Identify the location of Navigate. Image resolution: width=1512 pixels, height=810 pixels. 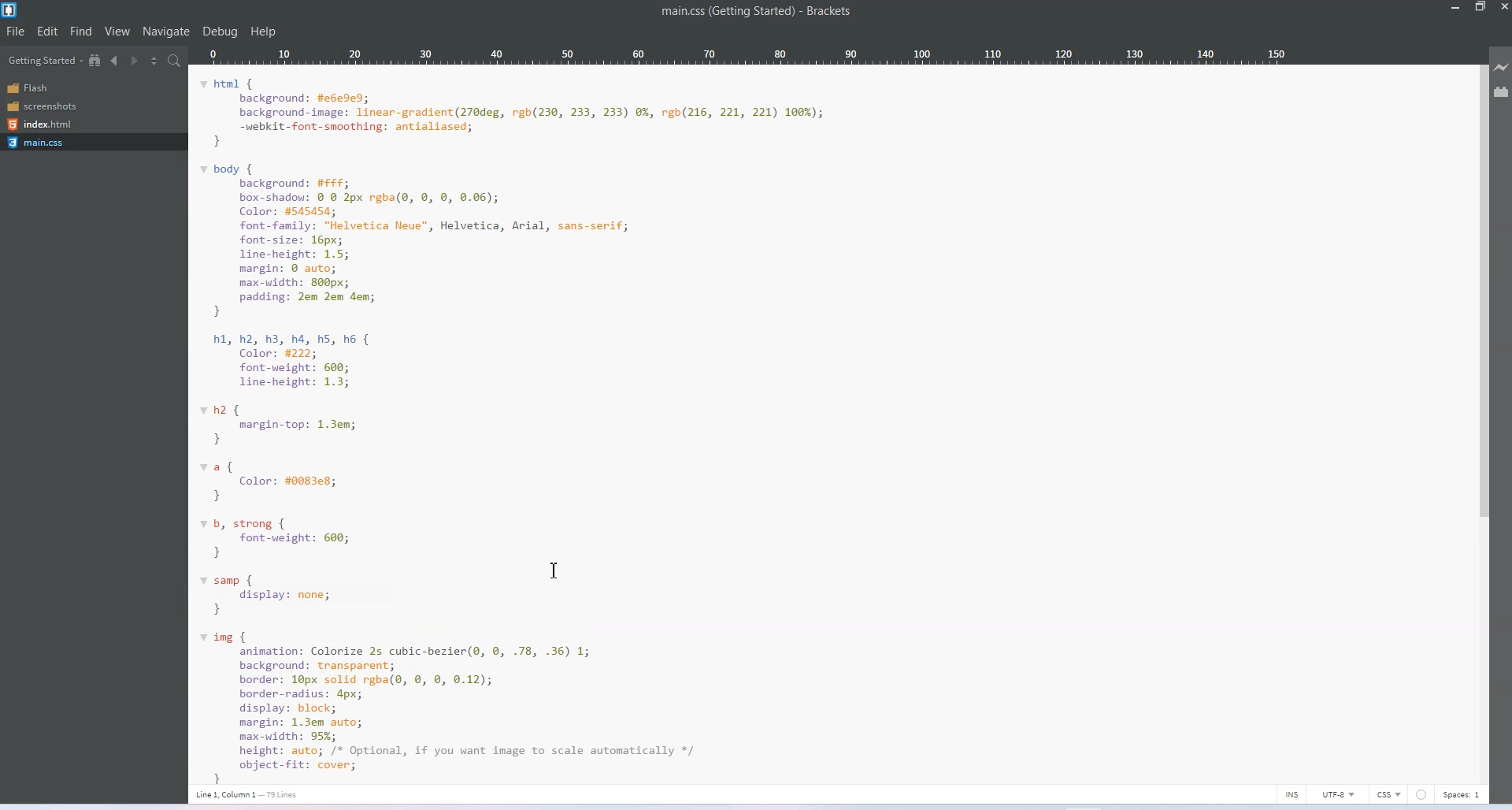
(169, 32).